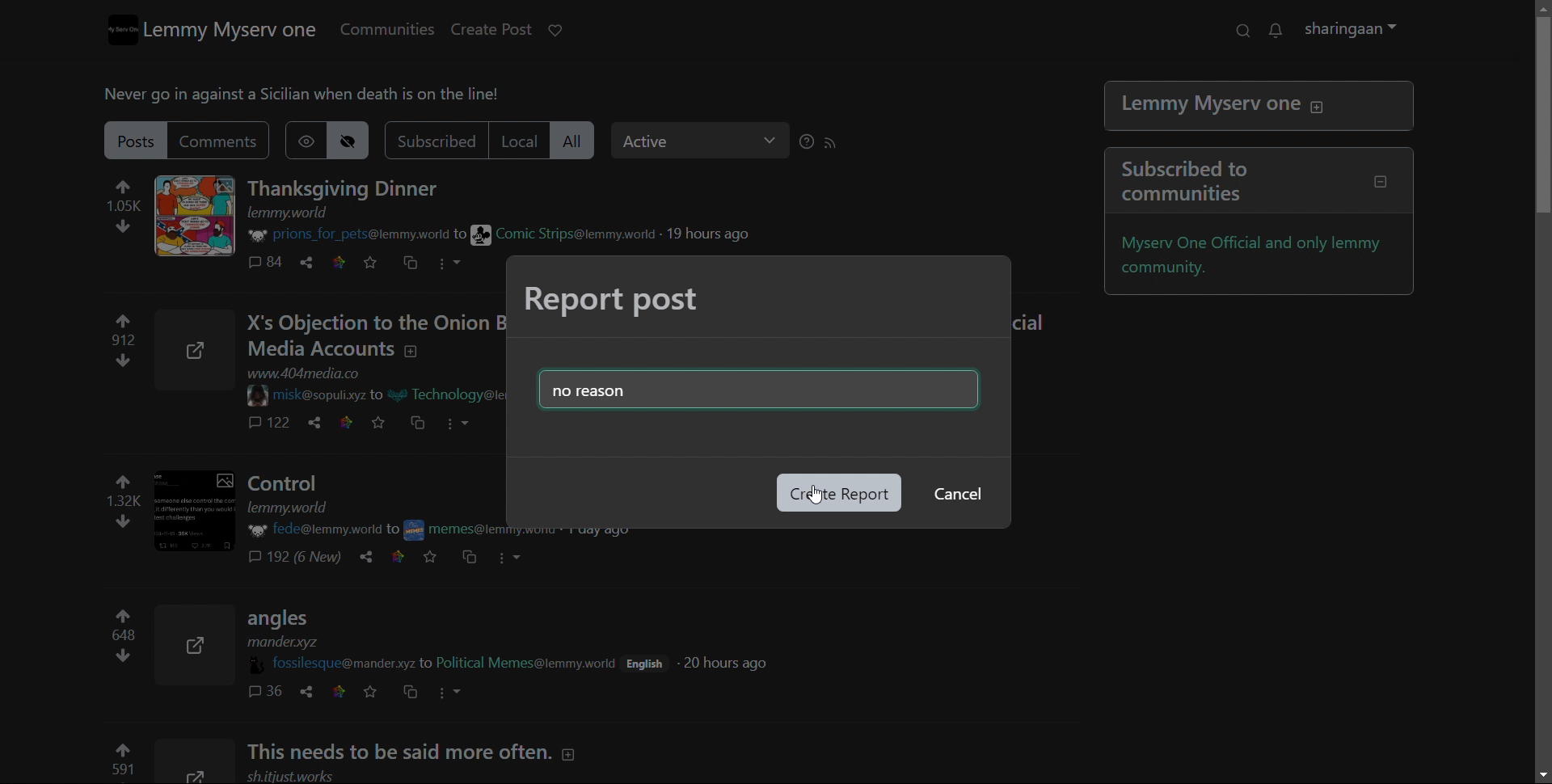 This screenshot has height=784, width=1552. I want to click on rss, so click(839, 143).